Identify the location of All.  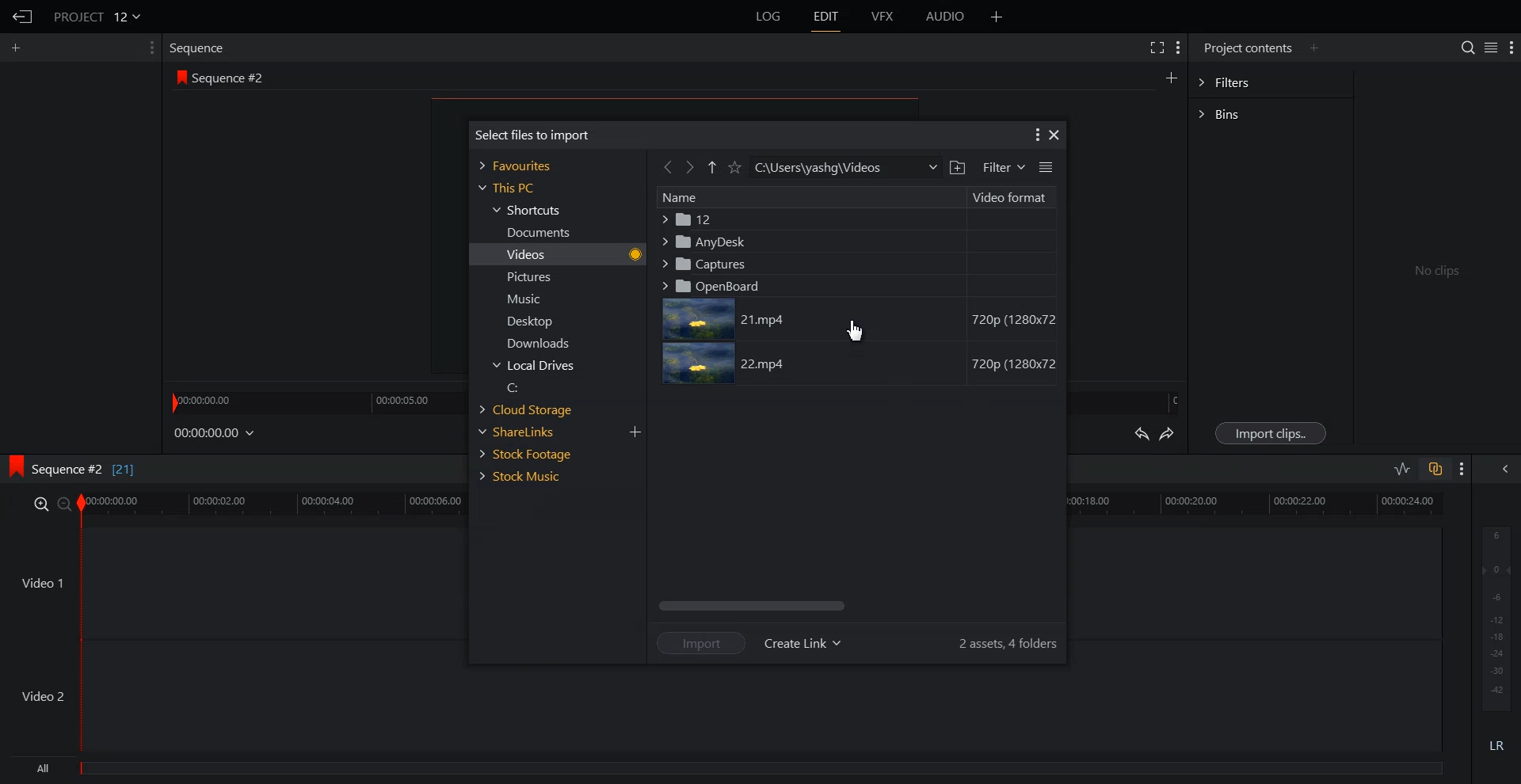
(729, 771).